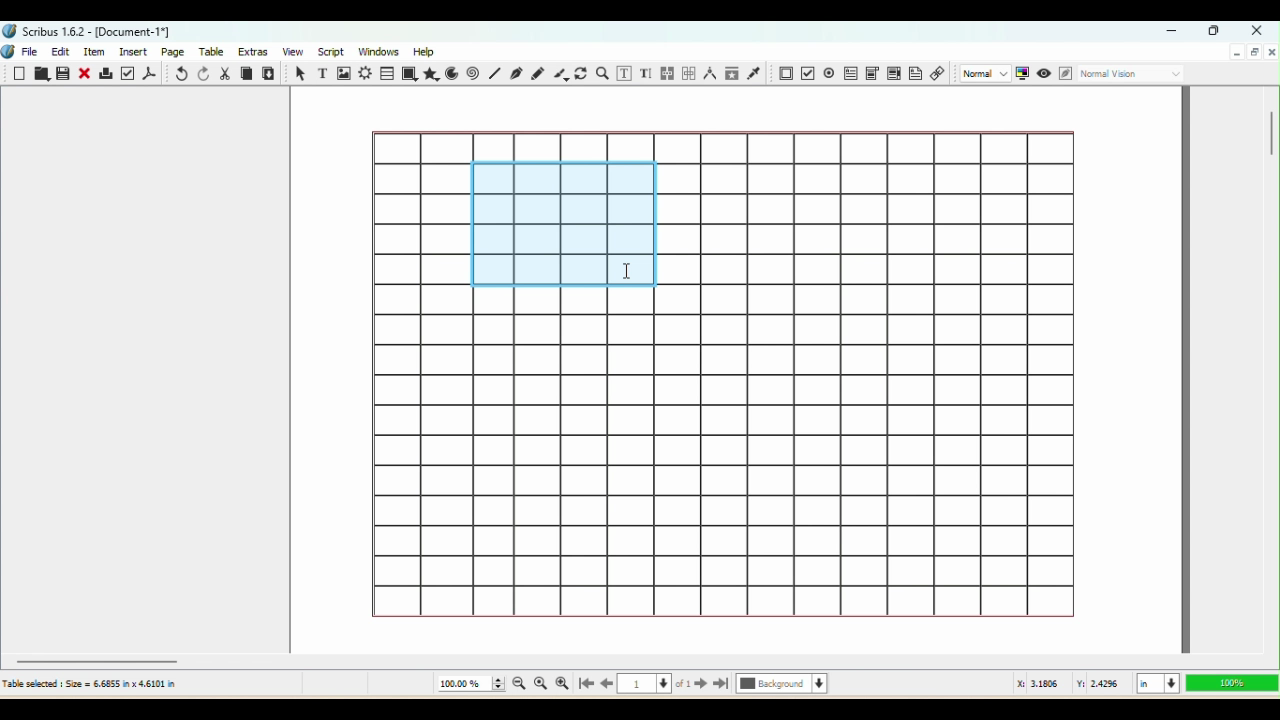  What do you see at coordinates (983, 73) in the screenshot?
I see `Select the image preview quality` at bounding box center [983, 73].